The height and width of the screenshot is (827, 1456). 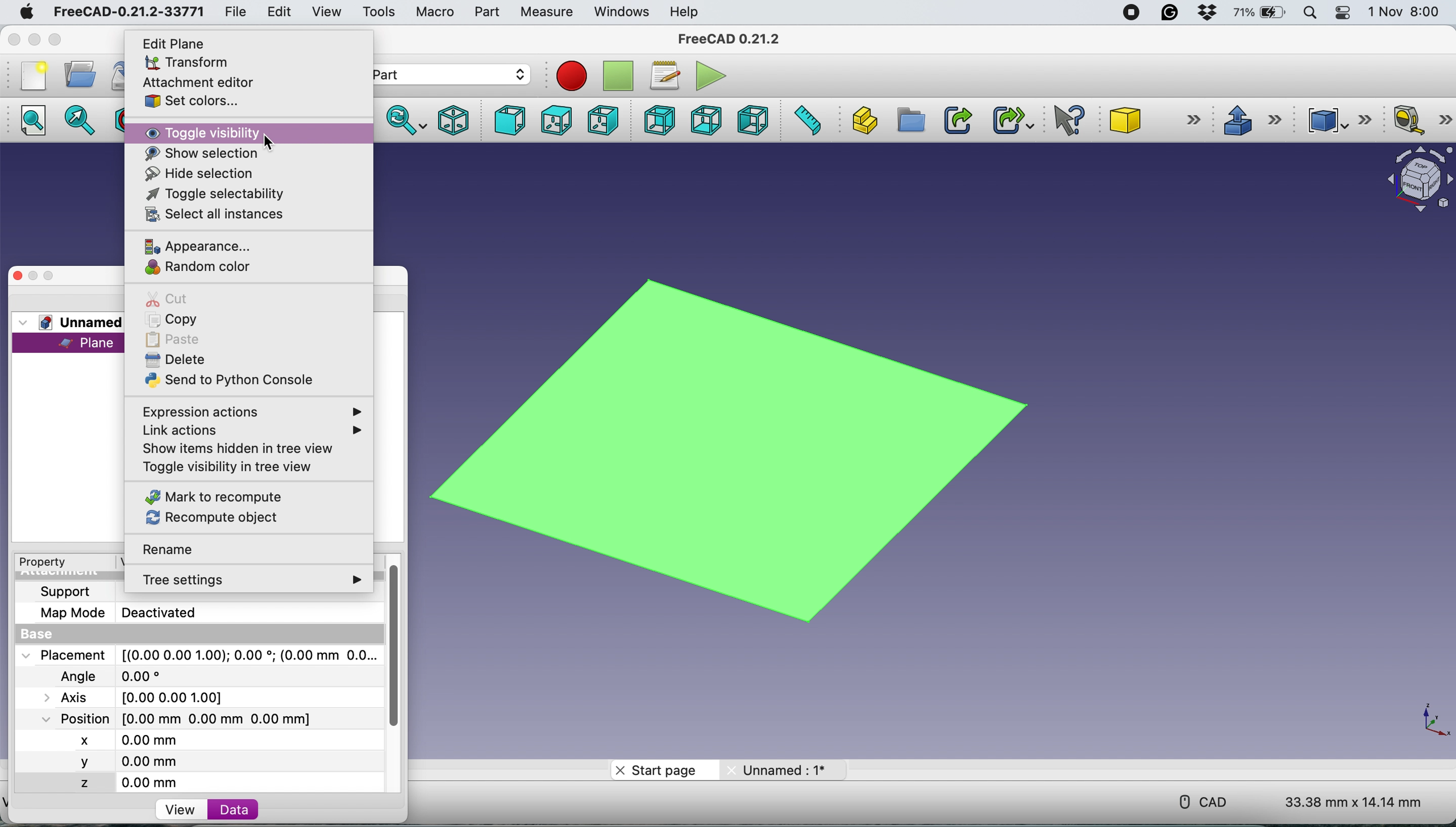 I want to click on view, so click(x=176, y=811).